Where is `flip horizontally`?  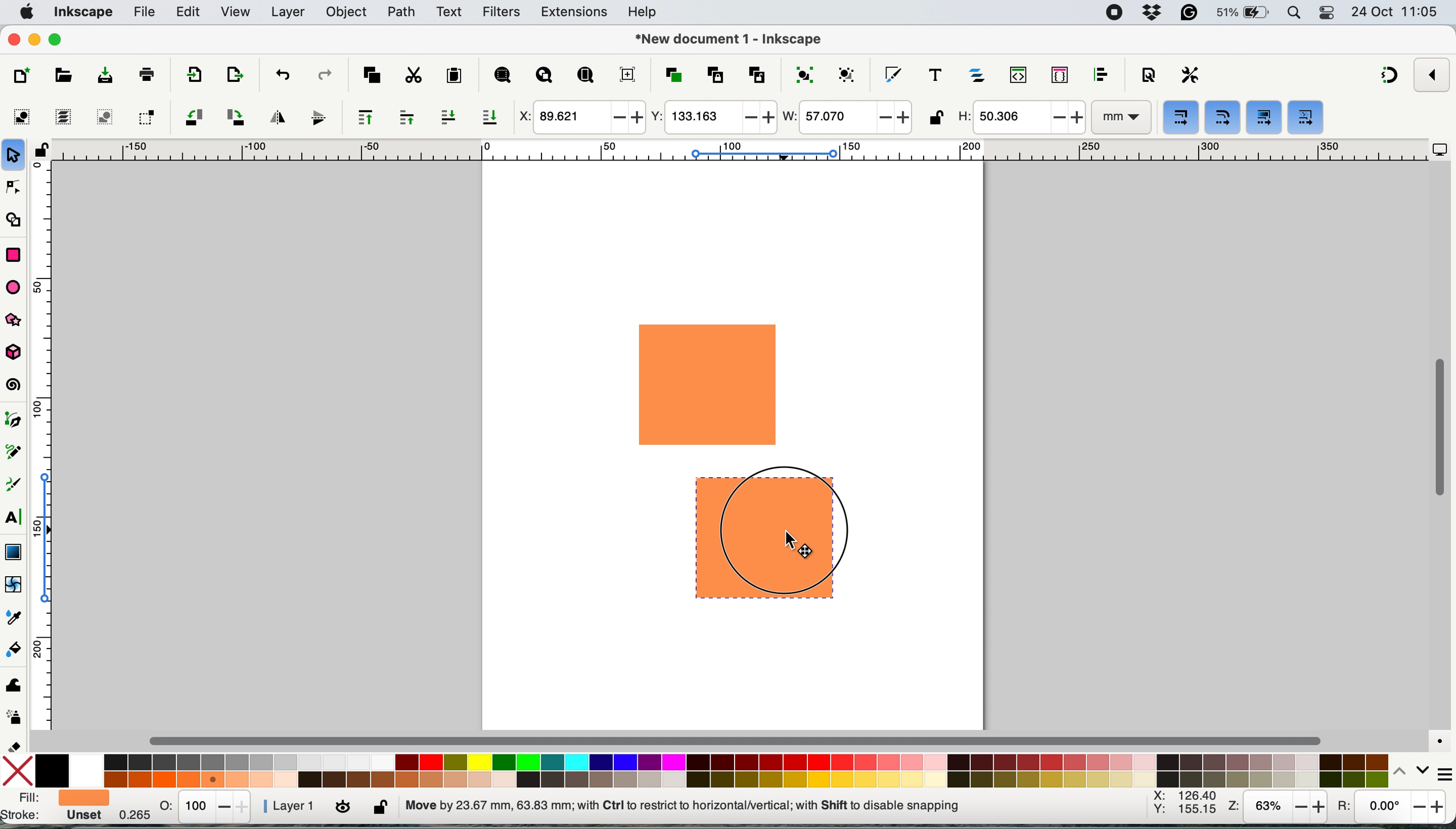
flip horizontally is located at coordinates (275, 116).